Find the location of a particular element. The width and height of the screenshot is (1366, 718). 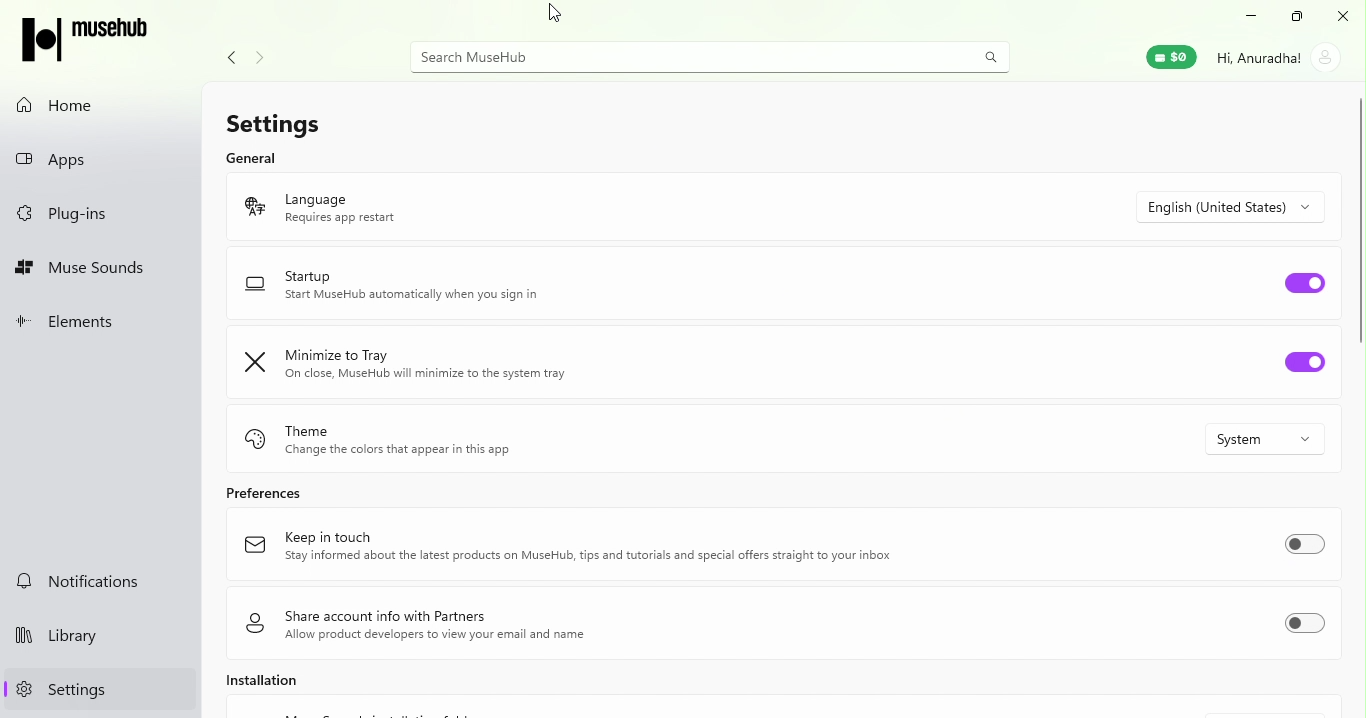

Minimize is located at coordinates (1250, 17).